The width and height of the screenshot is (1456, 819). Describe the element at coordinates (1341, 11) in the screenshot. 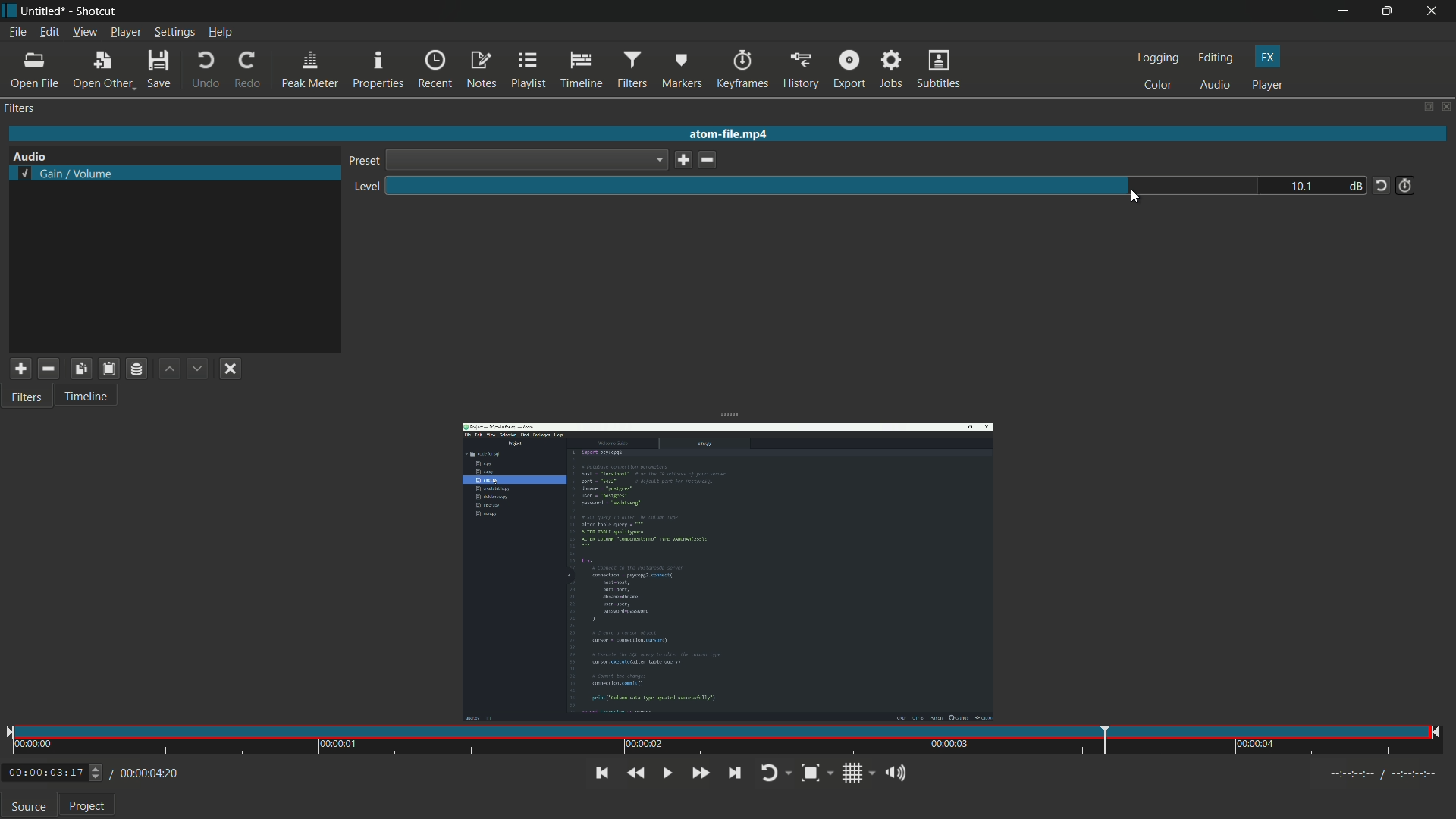

I see `minimize` at that location.